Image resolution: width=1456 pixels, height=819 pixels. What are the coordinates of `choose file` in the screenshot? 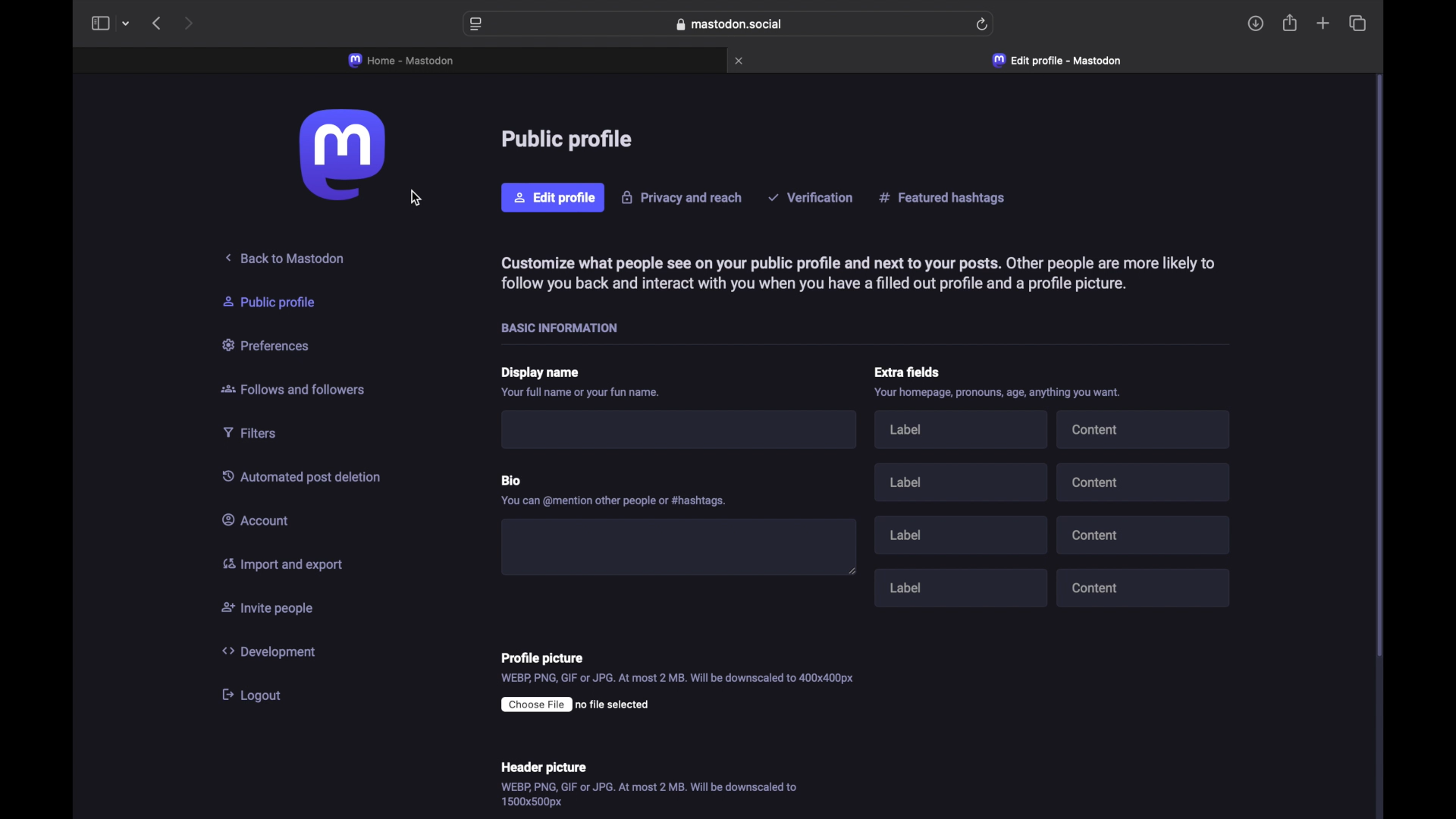 It's located at (535, 704).